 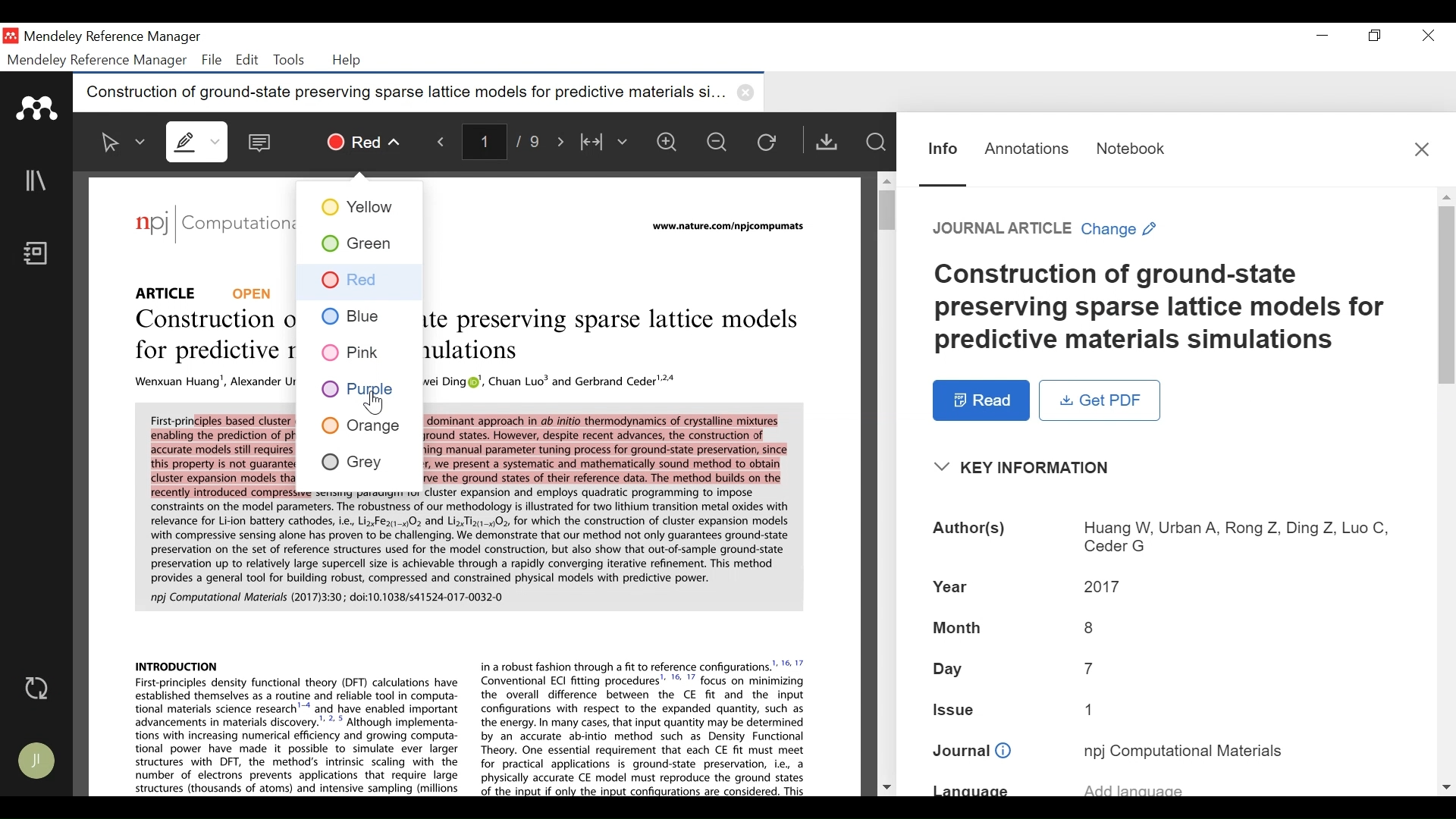 What do you see at coordinates (1092, 709) in the screenshot?
I see `1` at bounding box center [1092, 709].